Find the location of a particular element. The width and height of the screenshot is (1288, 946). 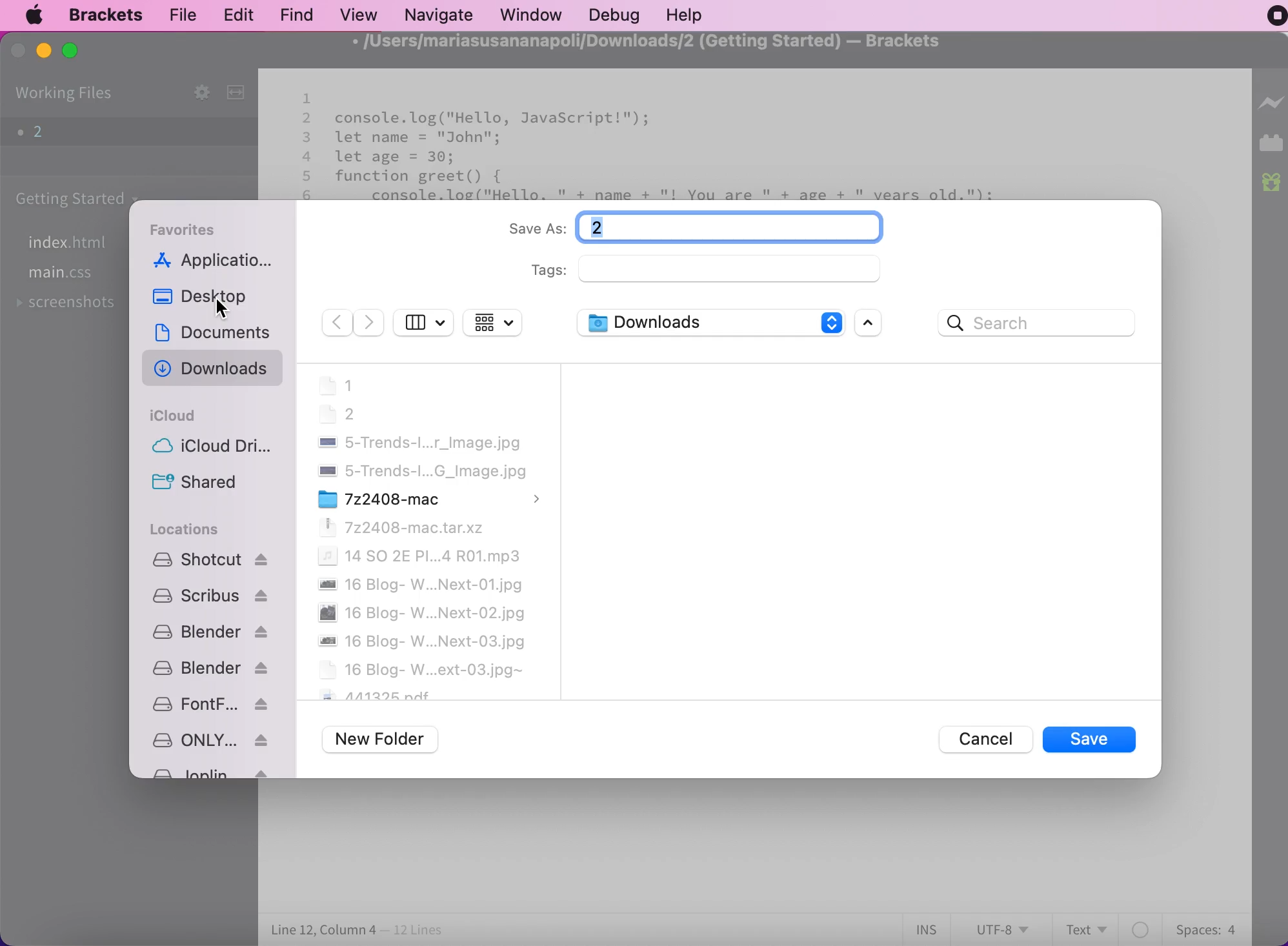

desktop is located at coordinates (201, 296).